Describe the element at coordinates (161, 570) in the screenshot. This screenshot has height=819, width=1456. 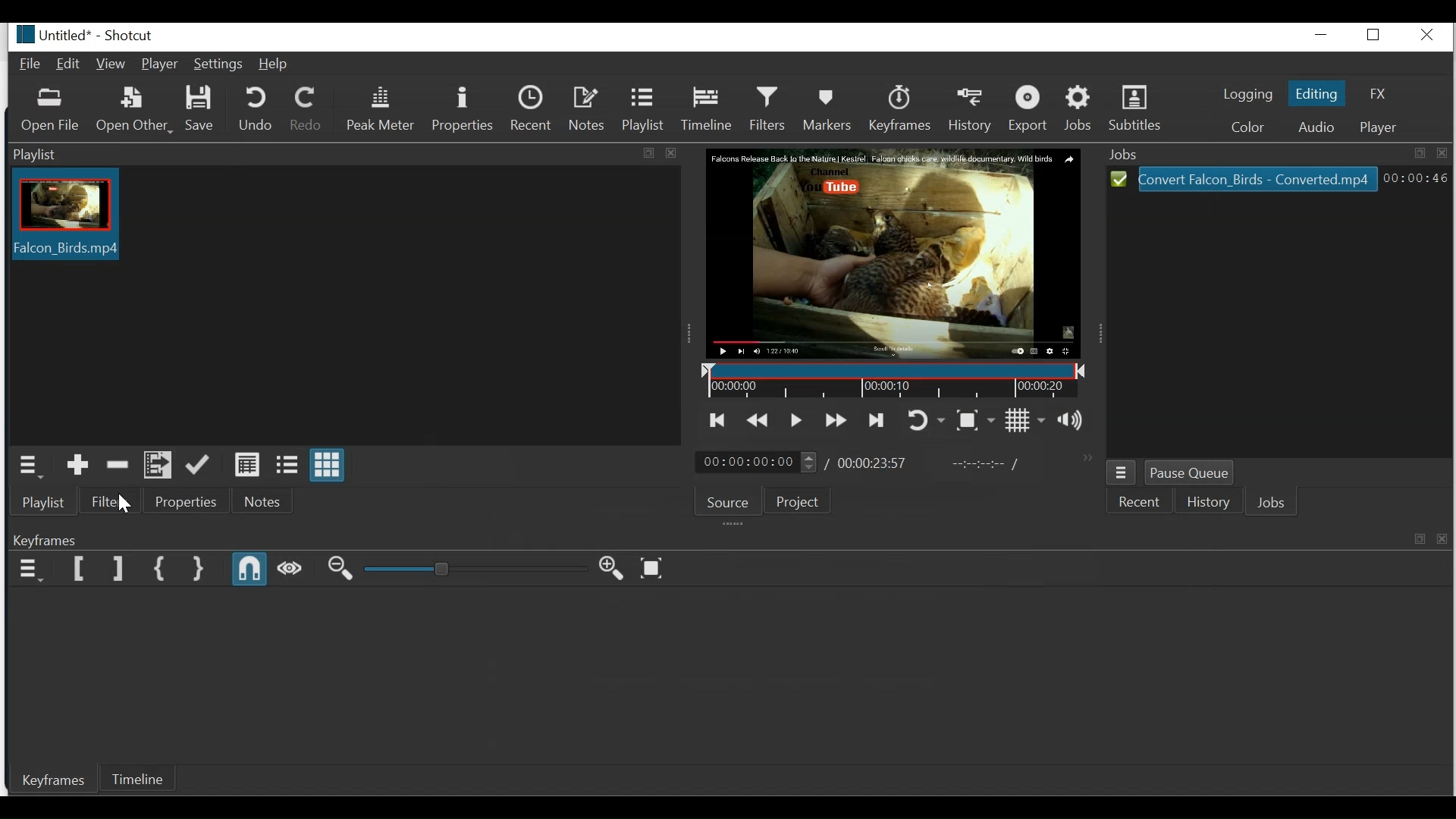
I see `Set First Simple keyframe` at that location.